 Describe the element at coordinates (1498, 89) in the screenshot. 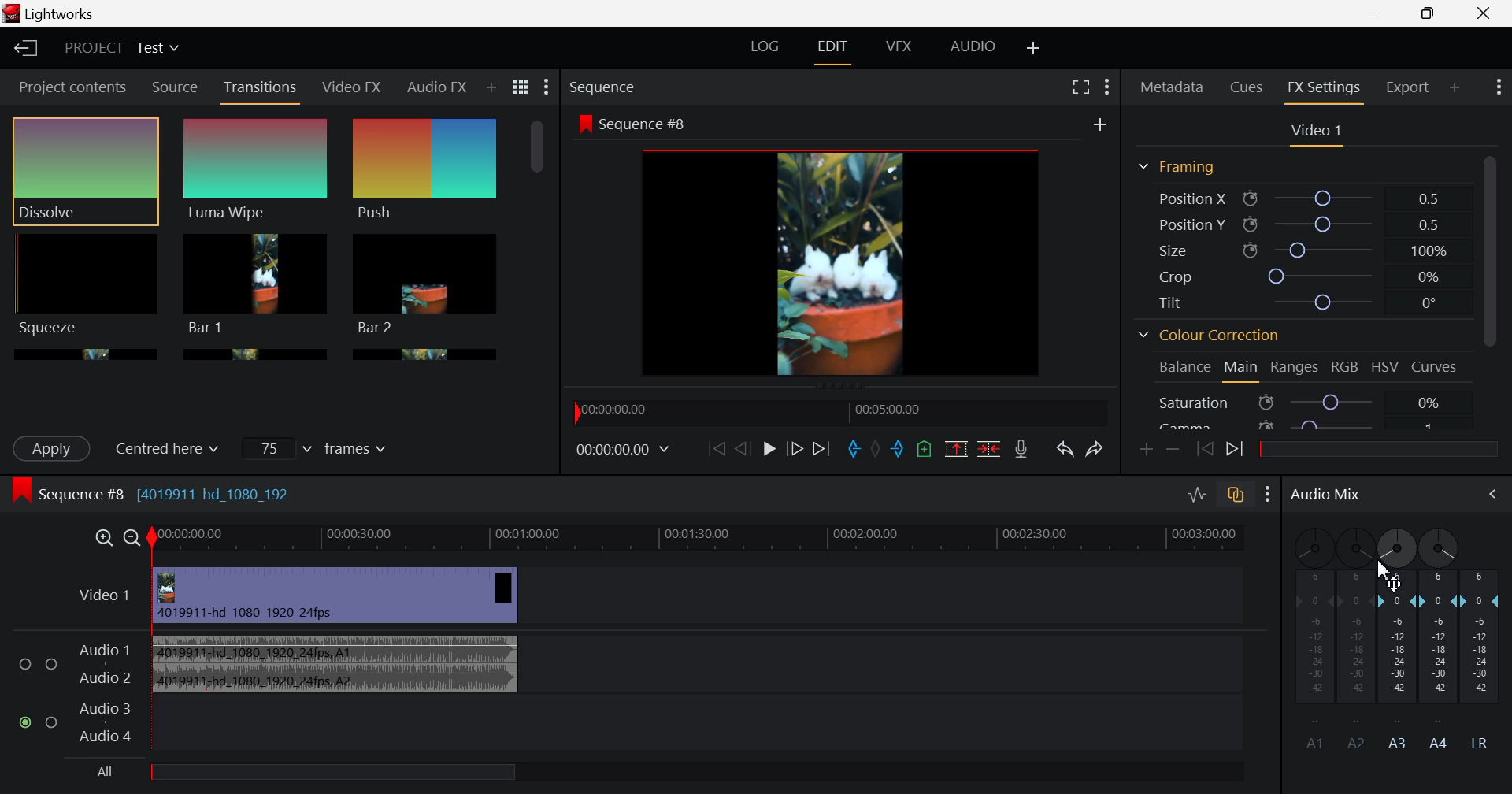

I see `Show Settings` at that location.